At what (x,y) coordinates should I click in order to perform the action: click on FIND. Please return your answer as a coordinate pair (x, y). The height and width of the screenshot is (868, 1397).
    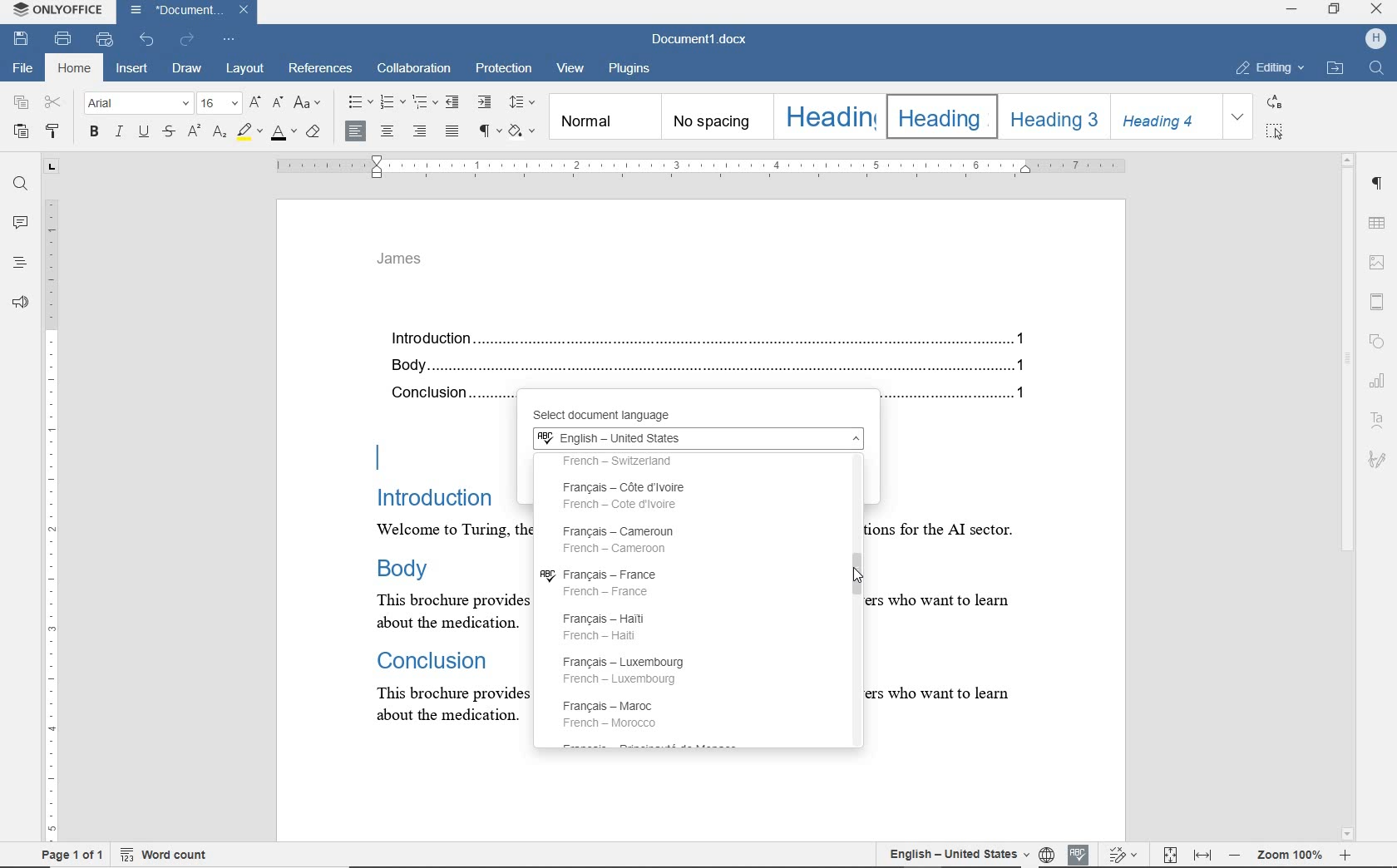
    Looking at the image, I should click on (1379, 70).